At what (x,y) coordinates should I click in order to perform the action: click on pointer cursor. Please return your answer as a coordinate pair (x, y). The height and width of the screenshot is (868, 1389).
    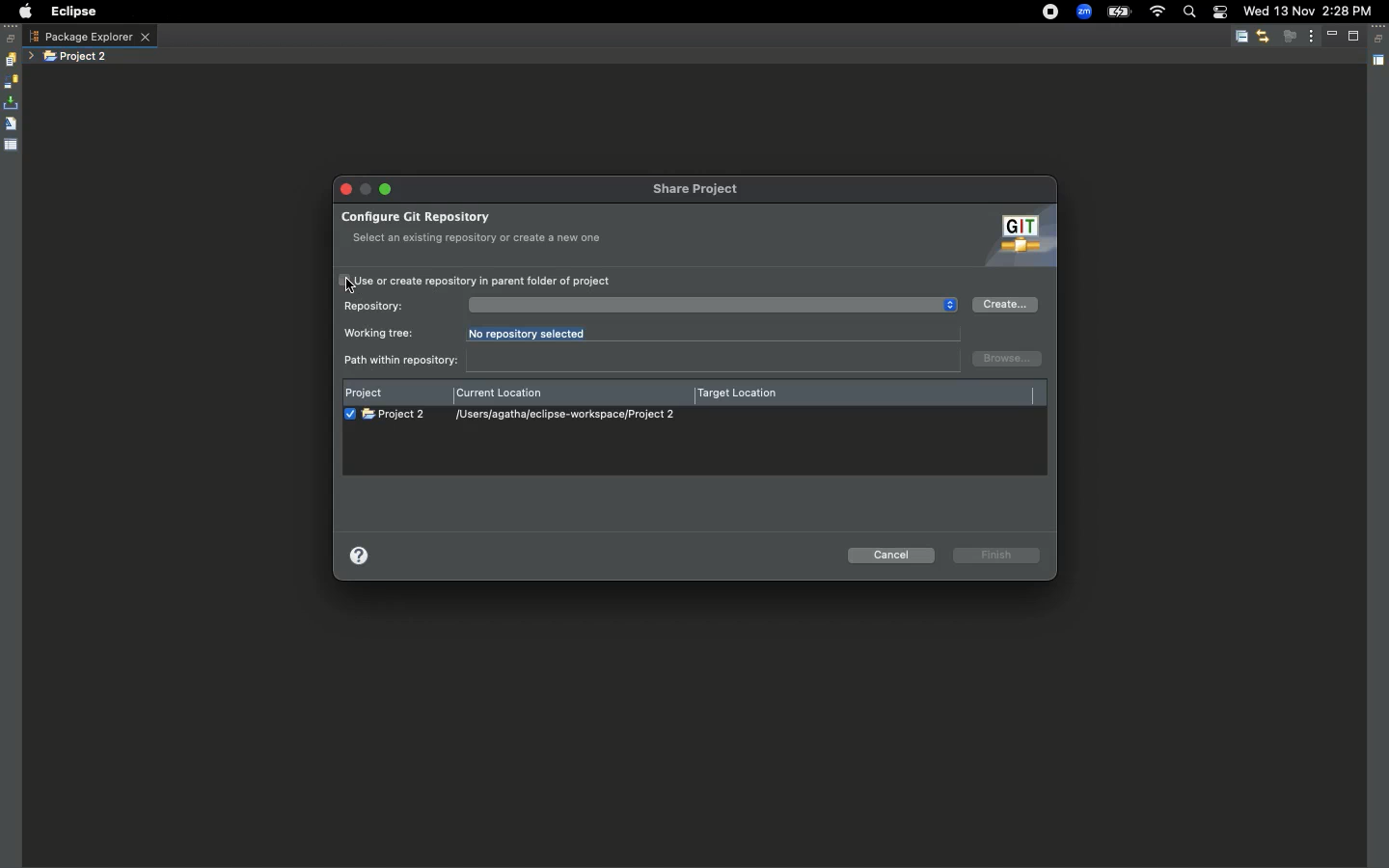
    Looking at the image, I should click on (351, 283).